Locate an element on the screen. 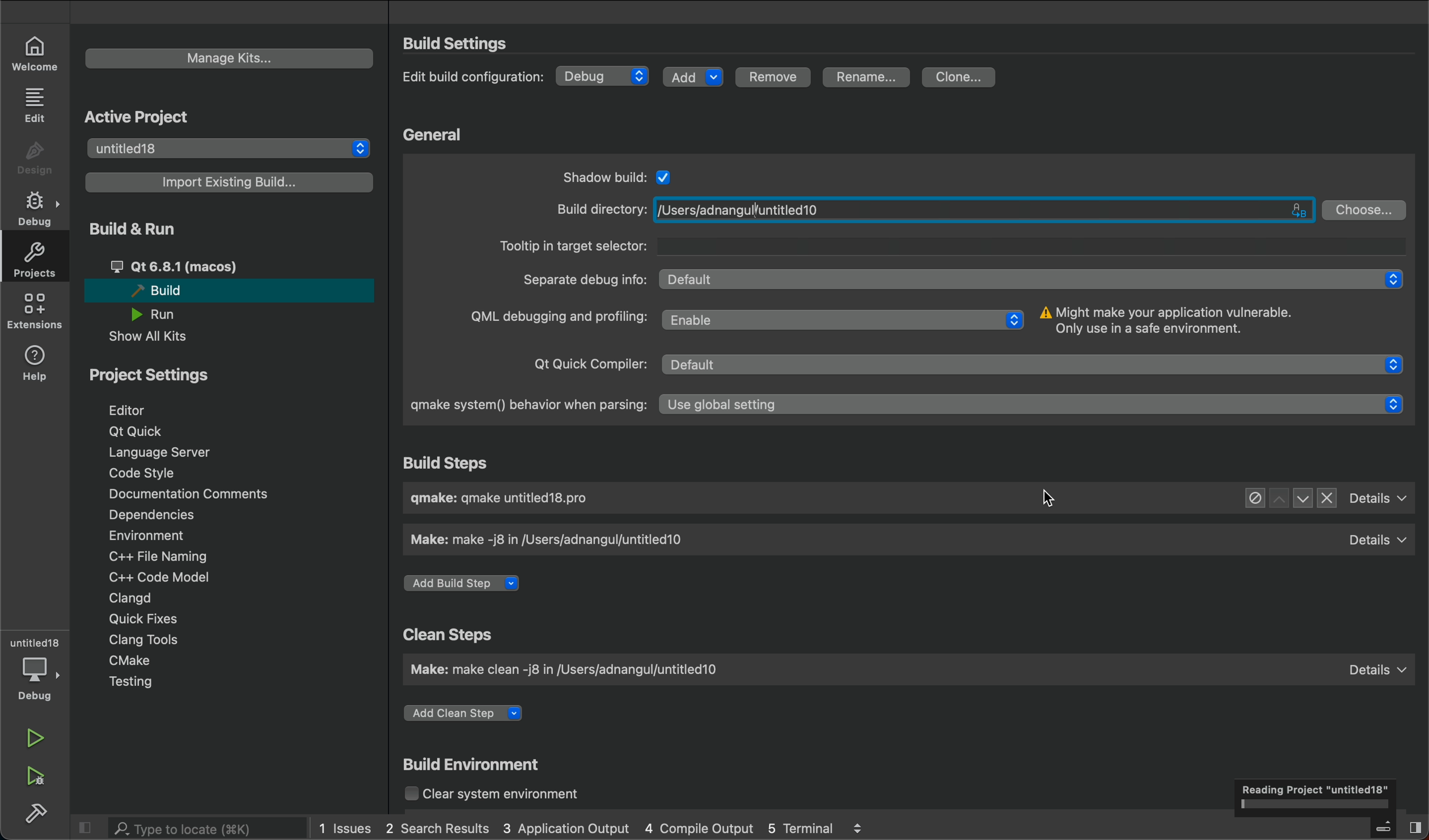 Image resolution: width=1429 pixels, height=840 pixels. quick is located at coordinates (137, 620).